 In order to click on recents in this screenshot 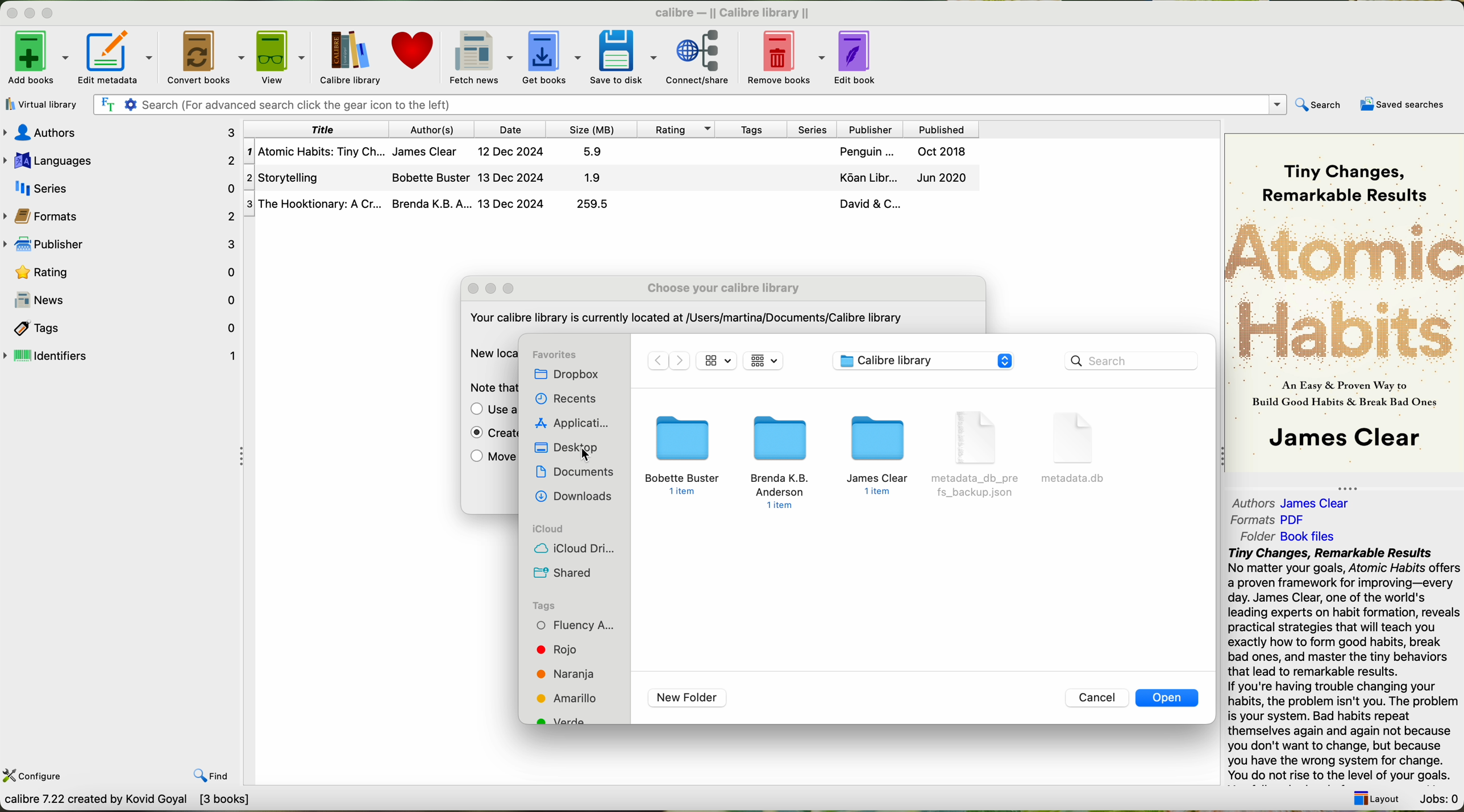, I will do `click(564, 400)`.